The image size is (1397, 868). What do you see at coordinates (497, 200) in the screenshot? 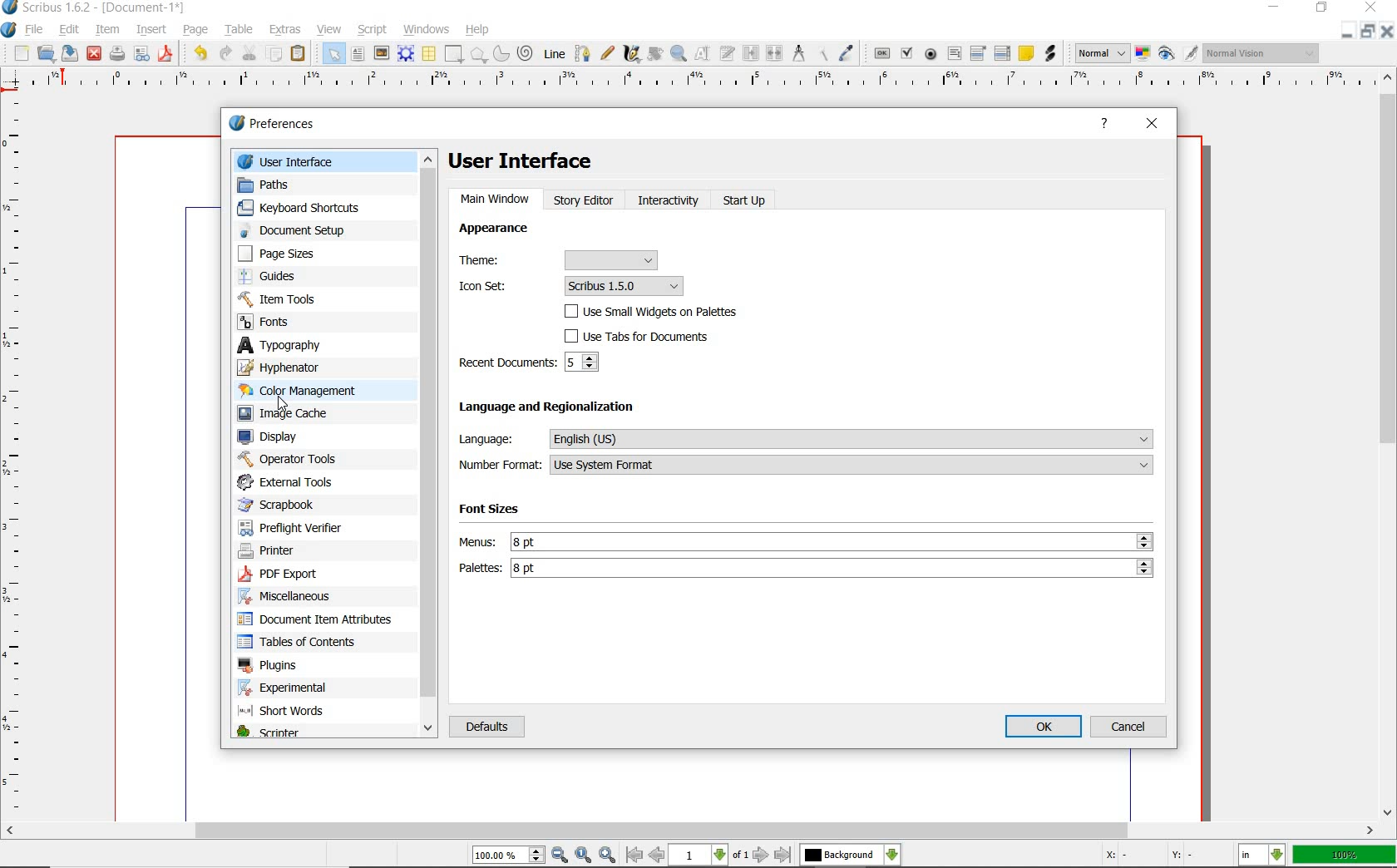
I see `MAIN WINDOW` at bounding box center [497, 200].